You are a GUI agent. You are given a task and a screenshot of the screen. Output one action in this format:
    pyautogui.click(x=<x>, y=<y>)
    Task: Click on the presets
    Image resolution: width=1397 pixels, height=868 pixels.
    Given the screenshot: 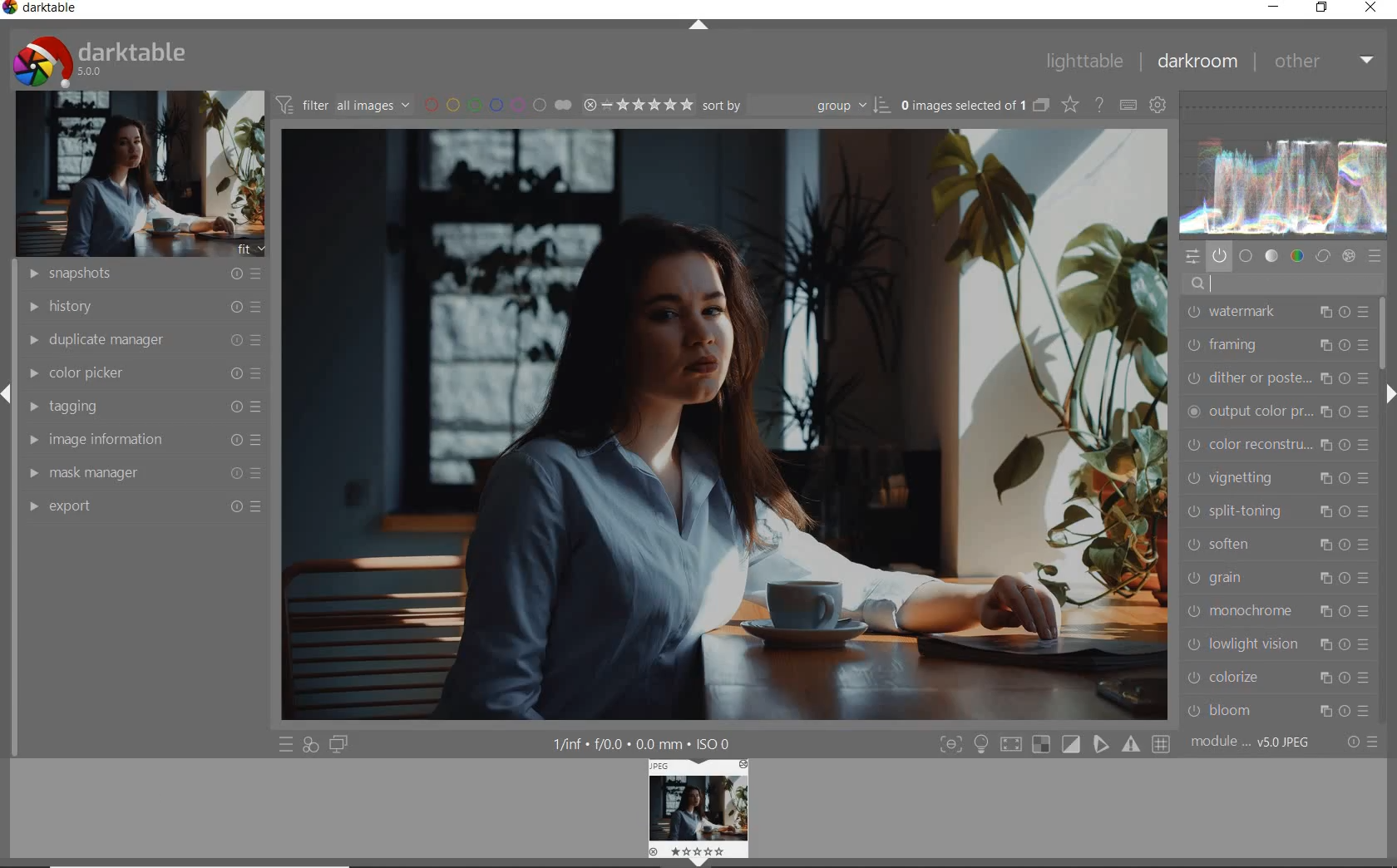 What is the action you would take?
    pyautogui.click(x=1375, y=255)
    